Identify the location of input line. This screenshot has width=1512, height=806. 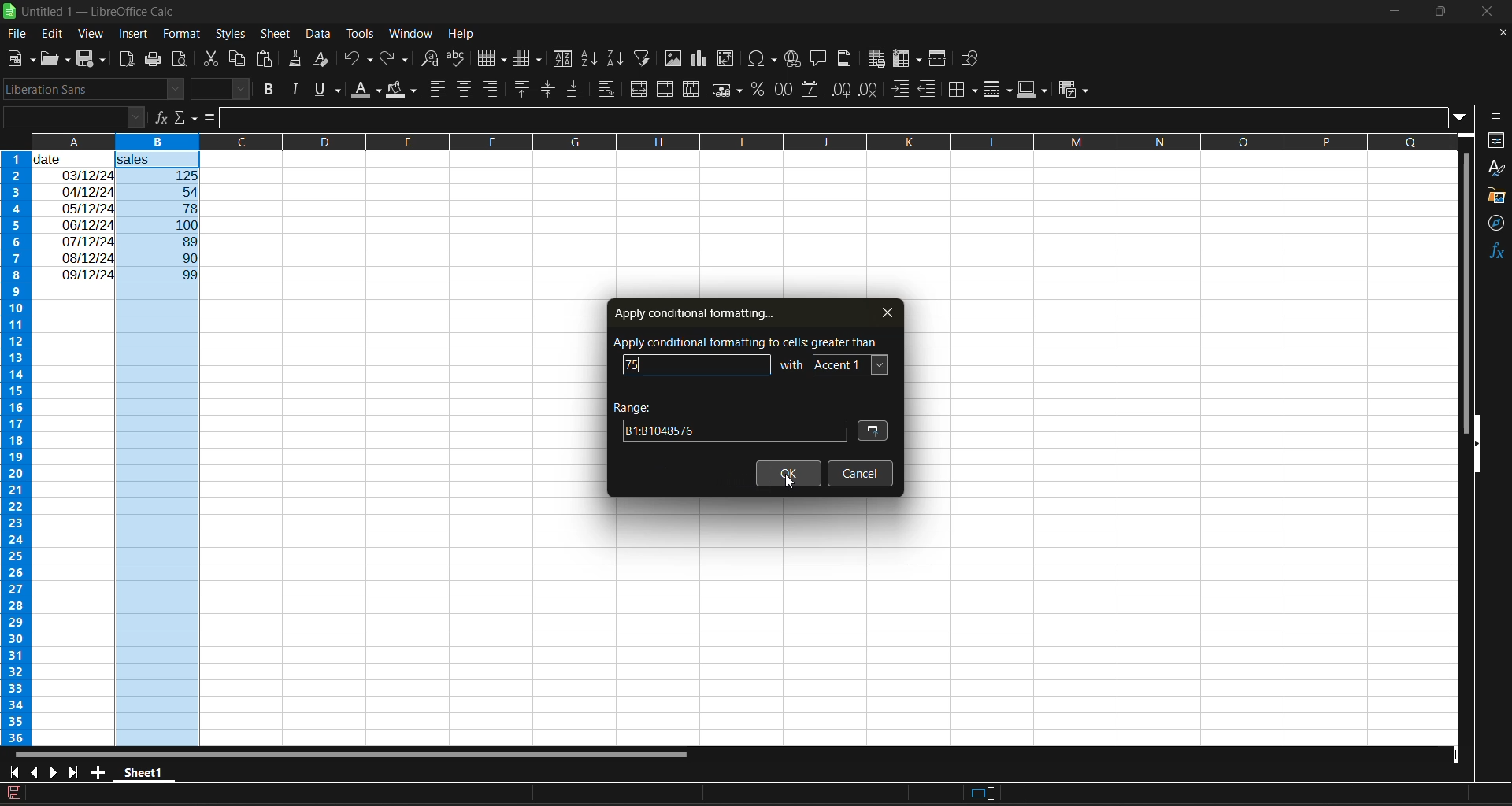
(836, 119).